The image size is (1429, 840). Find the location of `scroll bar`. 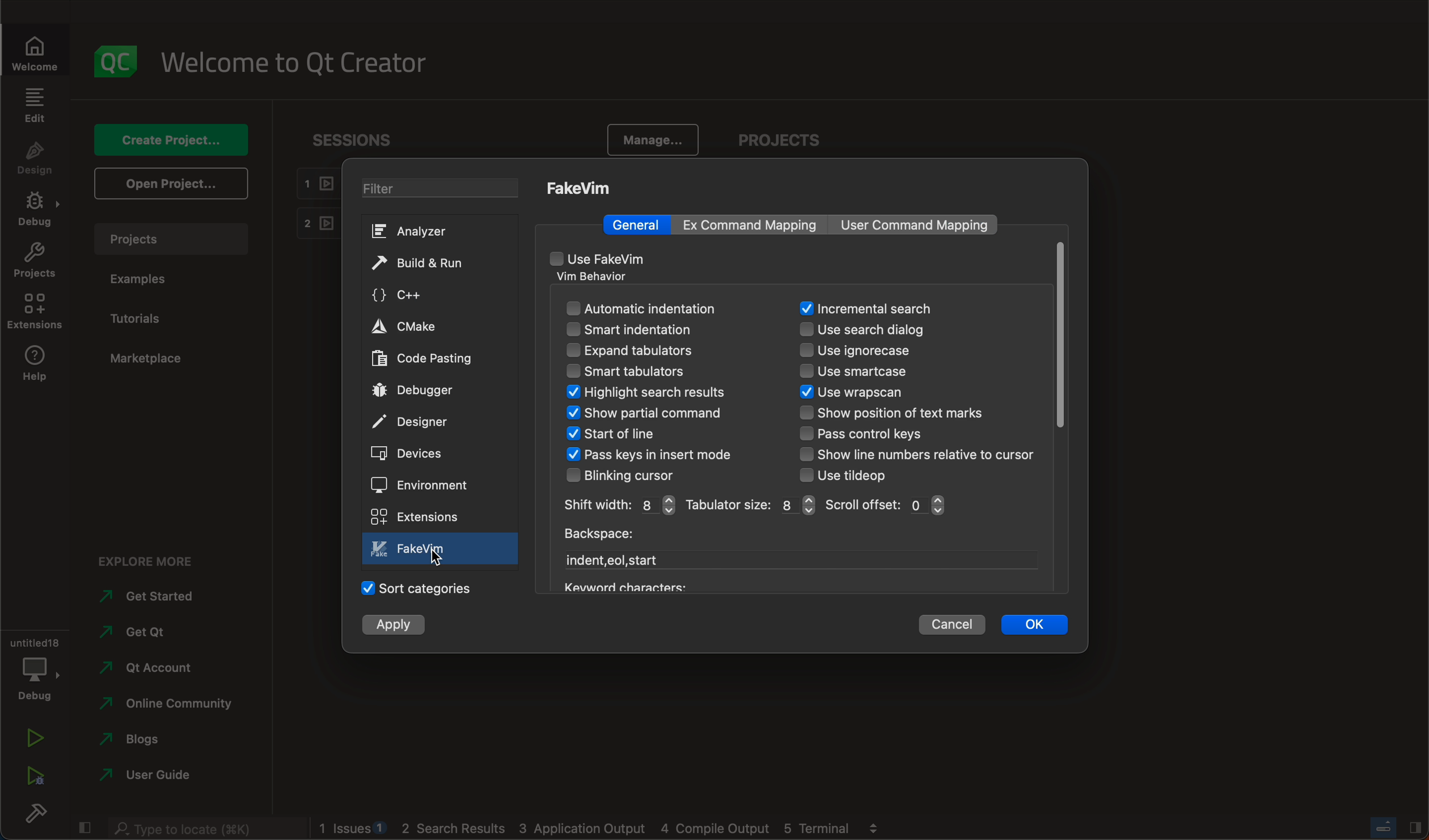

scroll bar is located at coordinates (1060, 337).